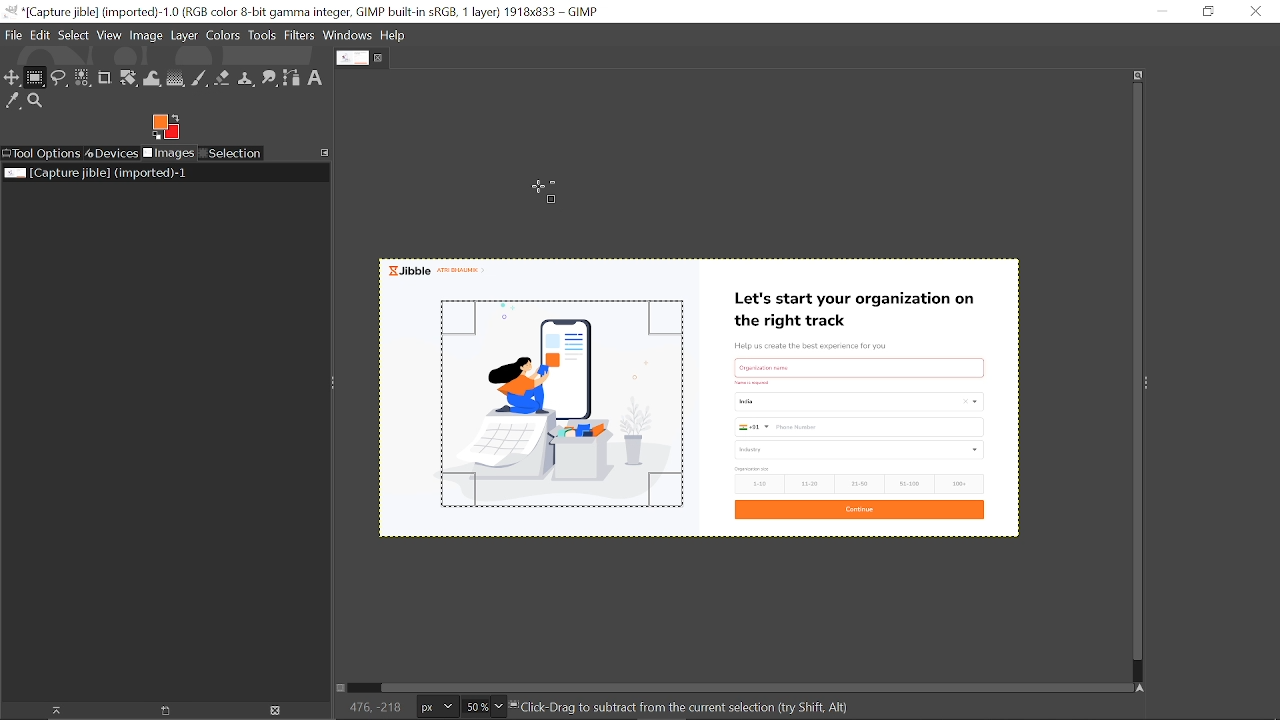  I want to click on Current image, so click(94, 173).